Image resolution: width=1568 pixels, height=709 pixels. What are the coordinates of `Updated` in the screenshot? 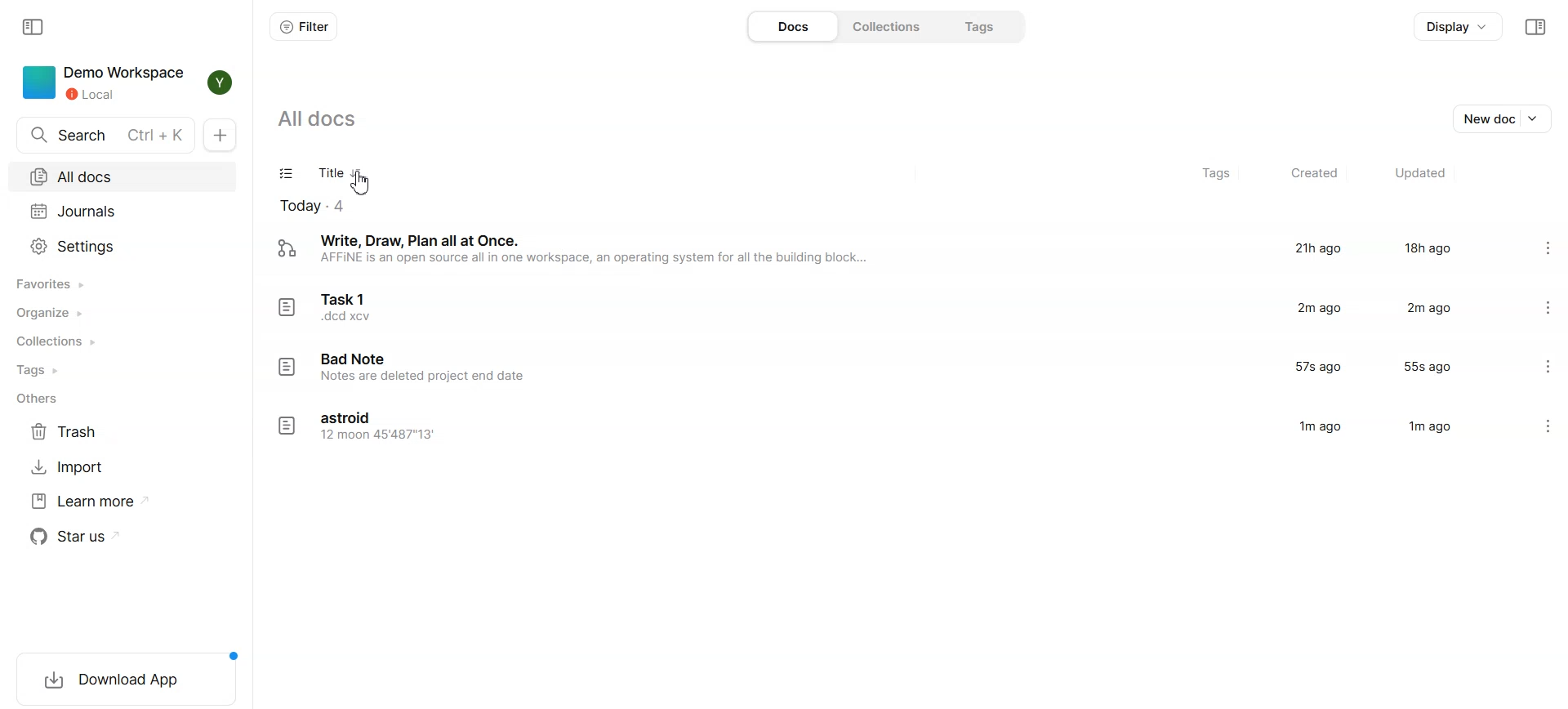 It's located at (1421, 173).